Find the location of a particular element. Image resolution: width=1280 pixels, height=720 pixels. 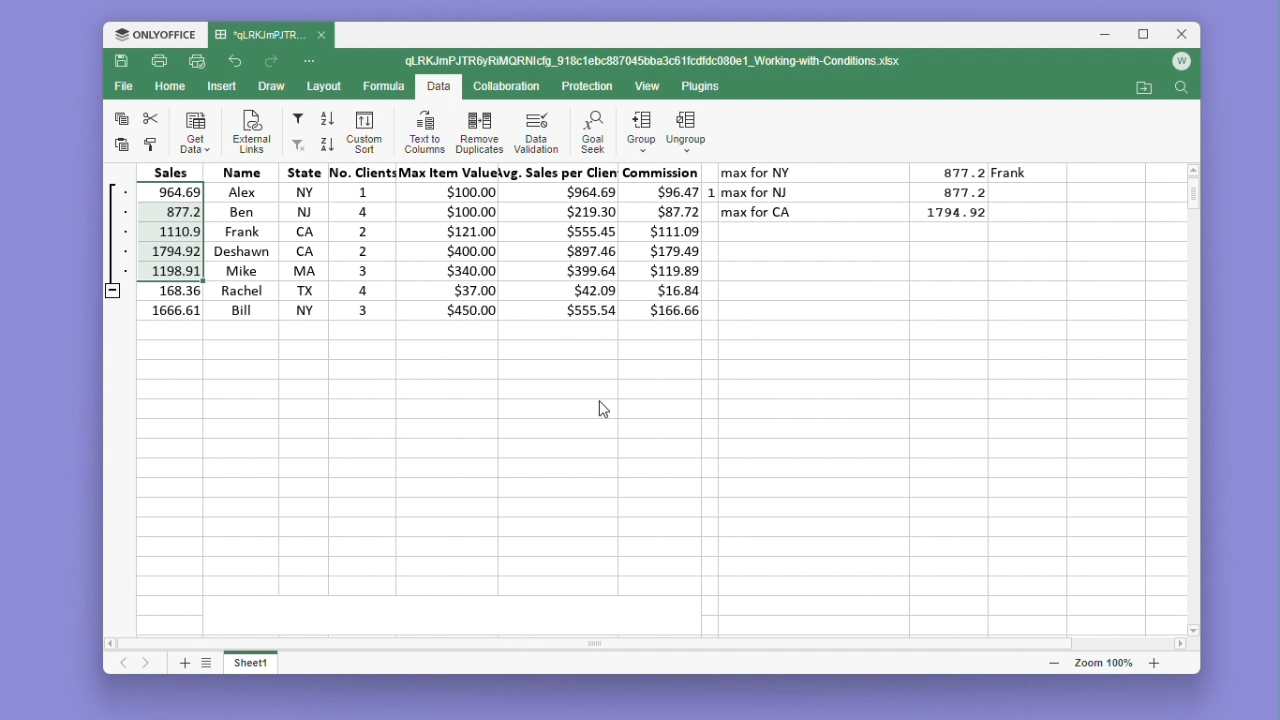

add sheet is located at coordinates (183, 662).